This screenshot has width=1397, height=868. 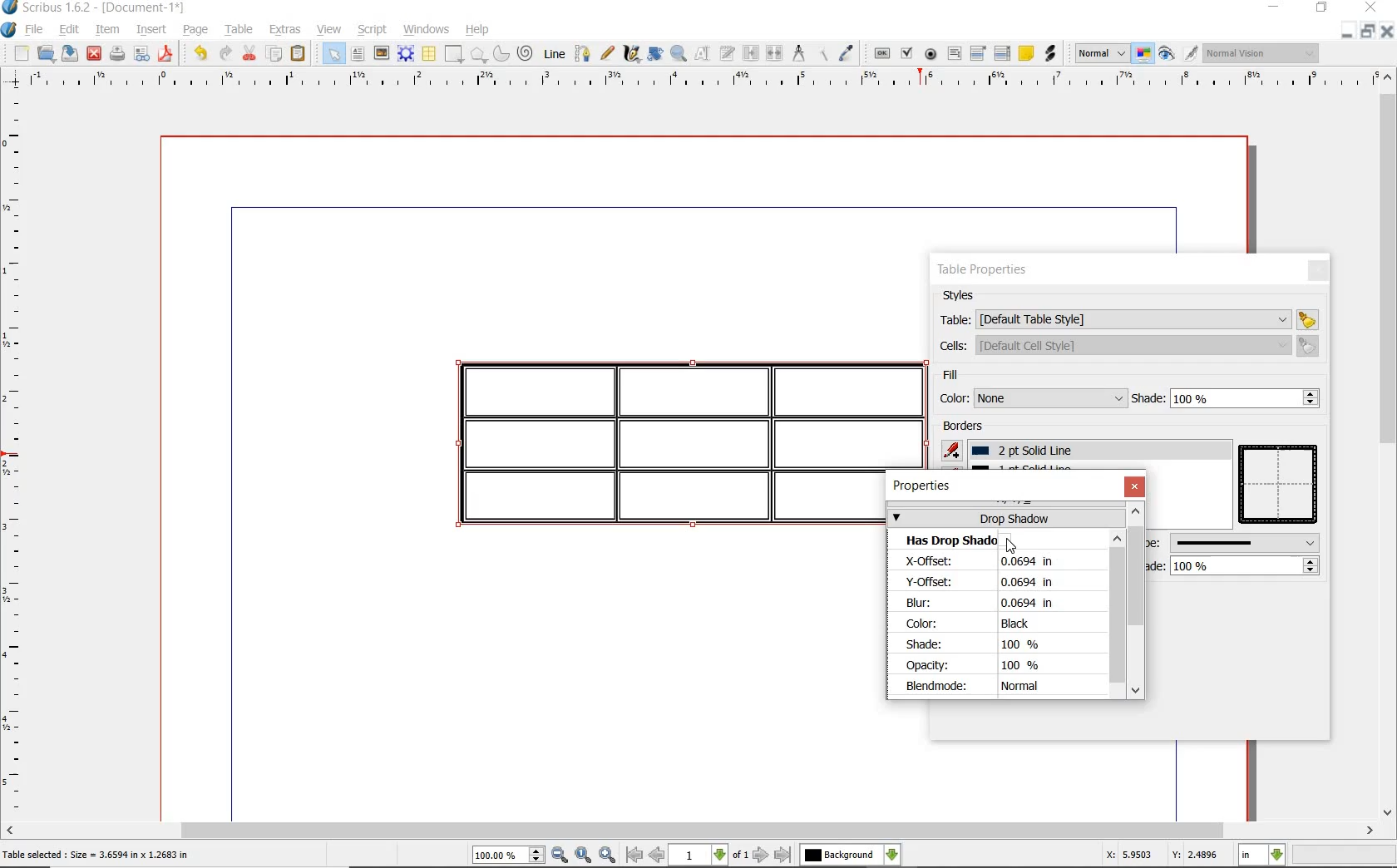 What do you see at coordinates (1140, 52) in the screenshot?
I see `toggle color management system` at bounding box center [1140, 52].